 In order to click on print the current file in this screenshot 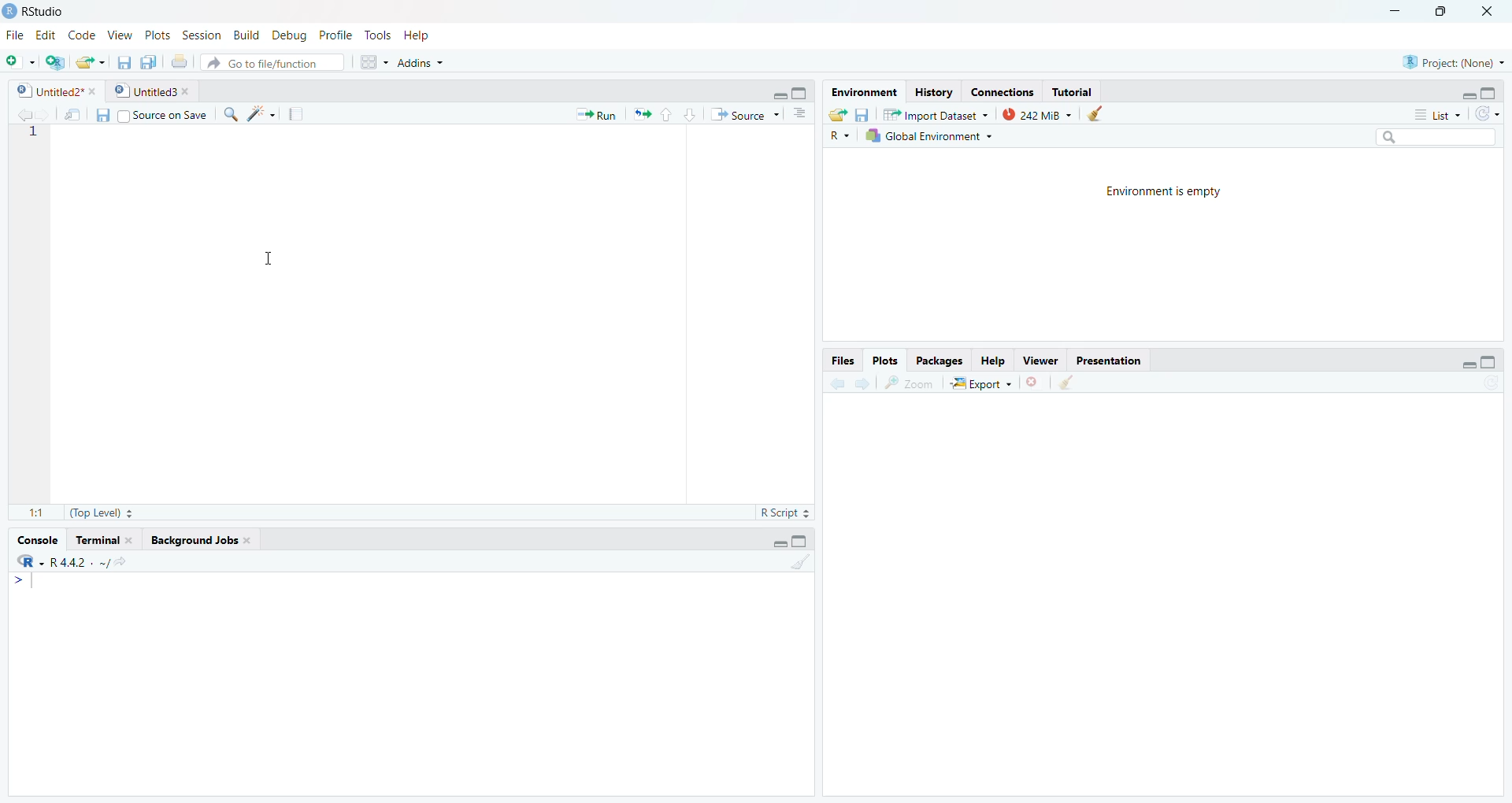, I will do `click(177, 61)`.